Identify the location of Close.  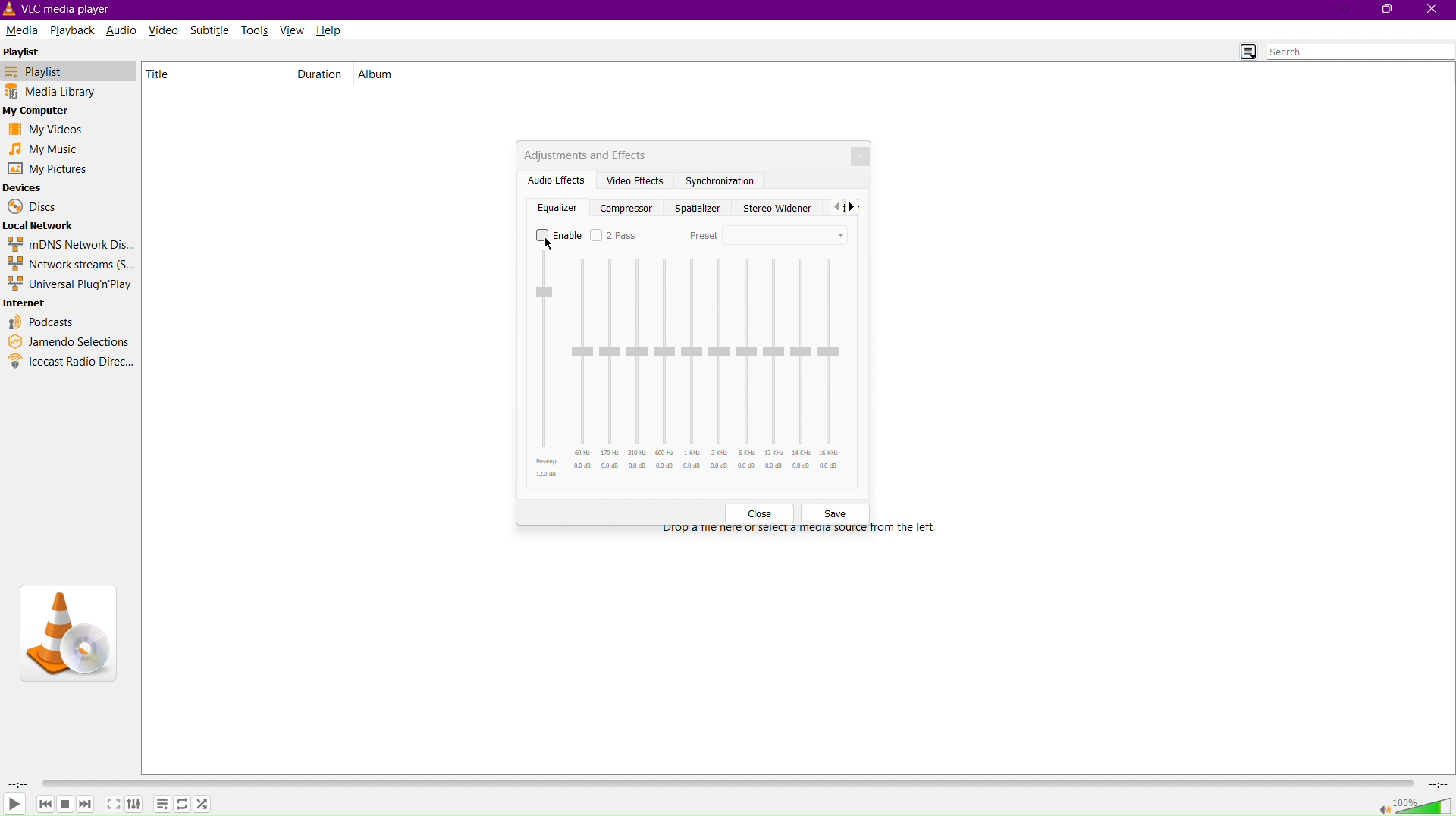
(860, 157).